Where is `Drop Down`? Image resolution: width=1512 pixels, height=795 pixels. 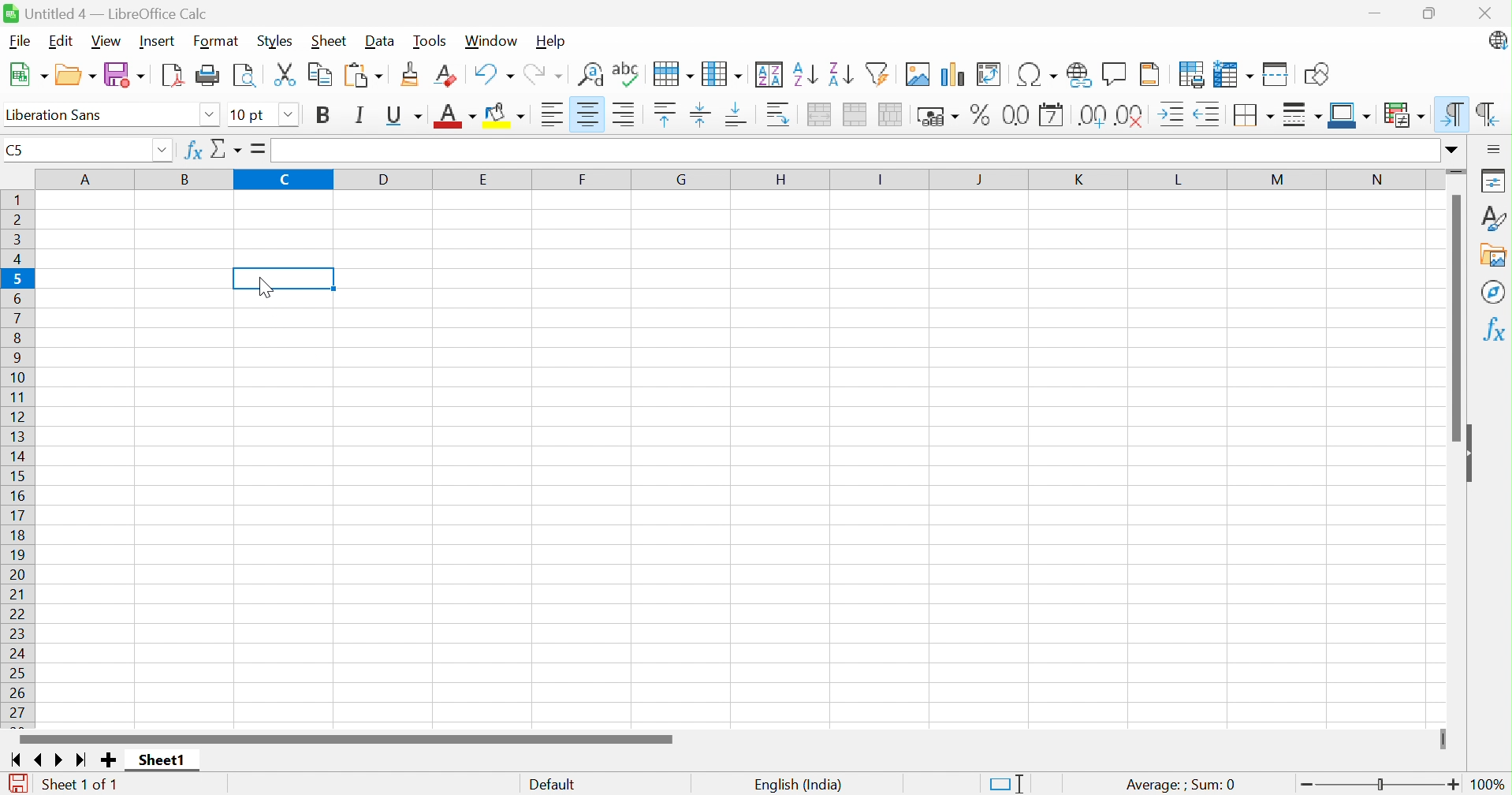 Drop Down is located at coordinates (1451, 151).